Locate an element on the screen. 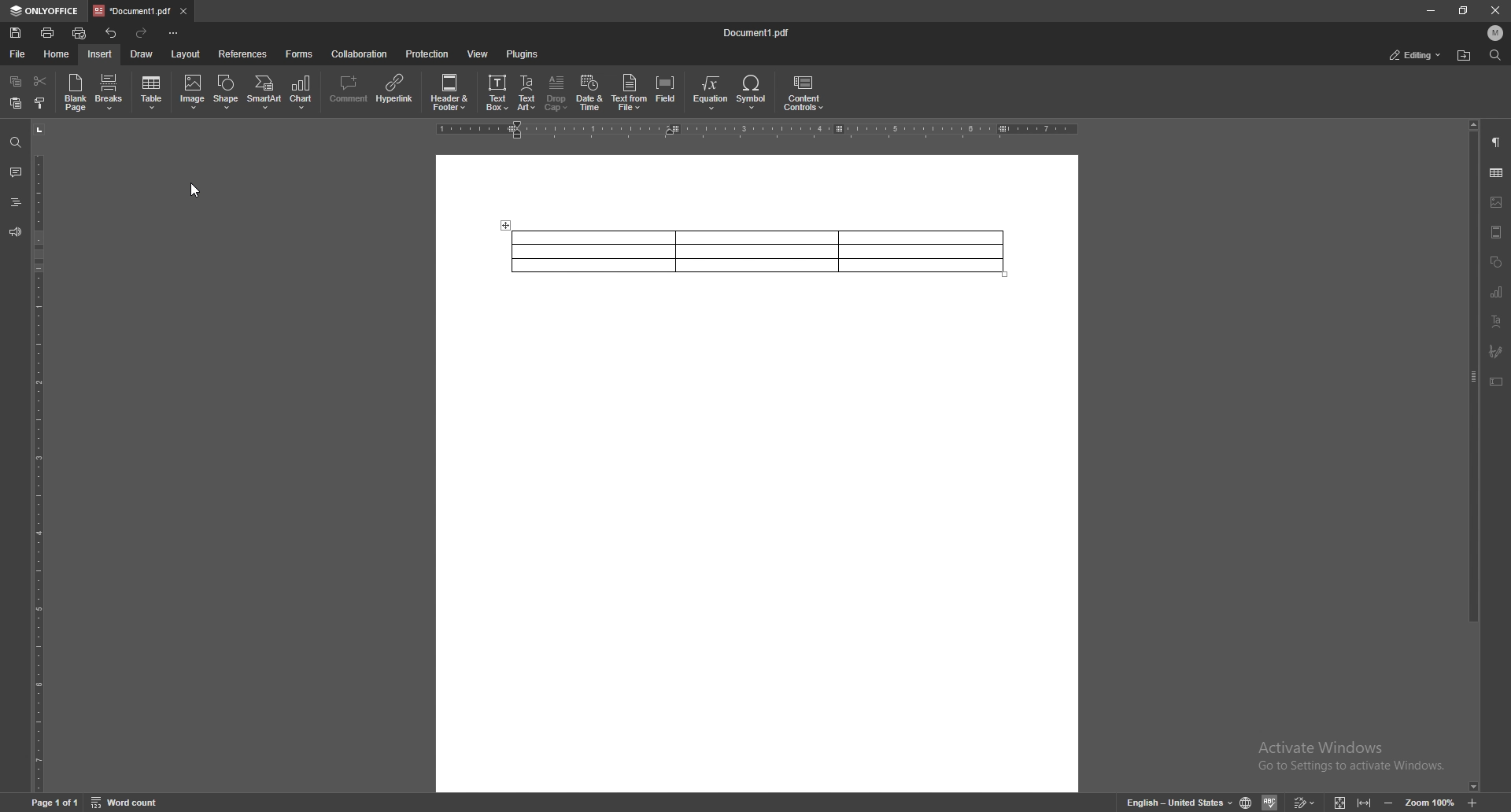  drop cap is located at coordinates (556, 93).